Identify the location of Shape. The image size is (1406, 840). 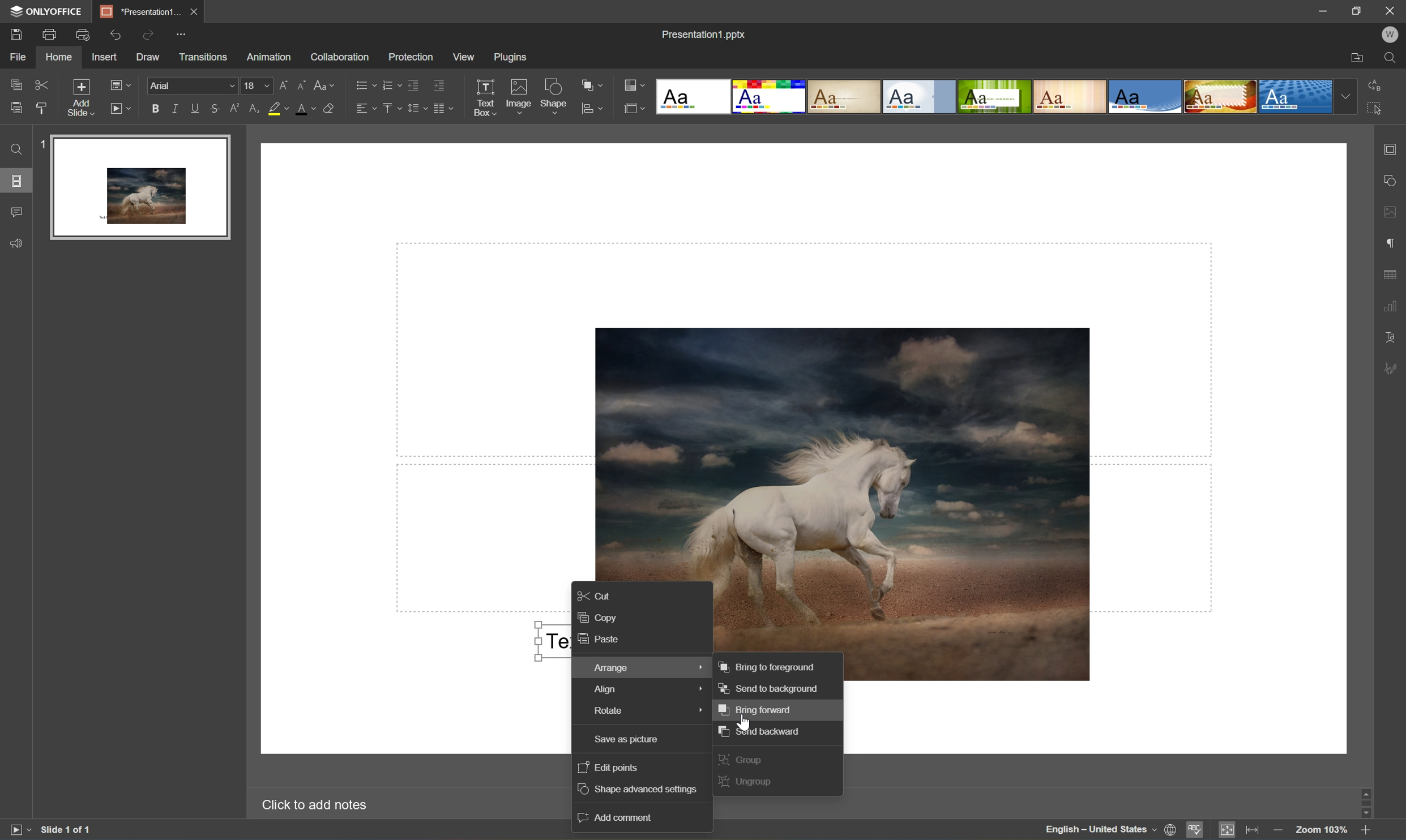
(554, 98).